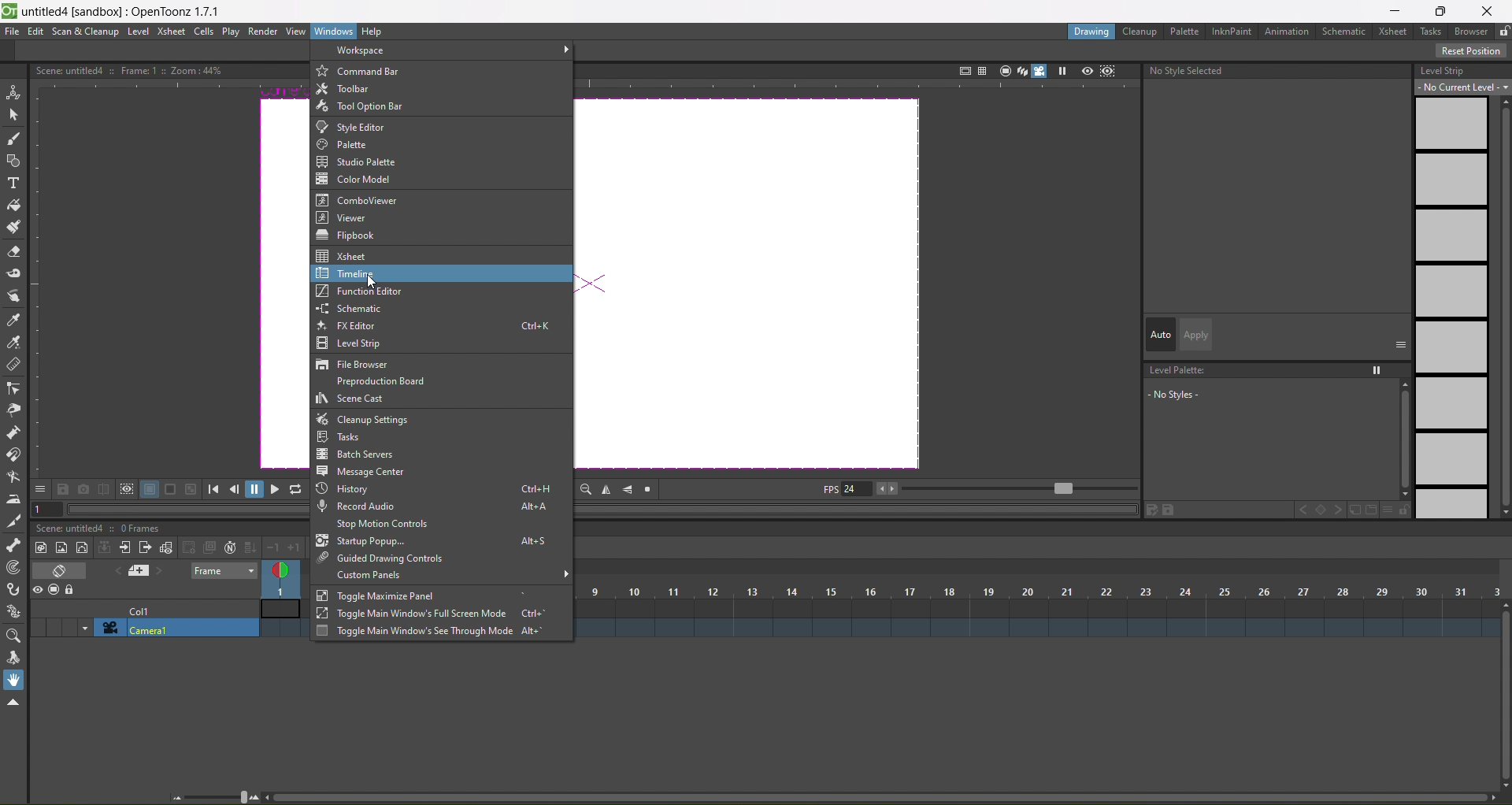 The width and height of the screenshot is (1512, 805). I want to click on ew raster level, so click(60, 548).